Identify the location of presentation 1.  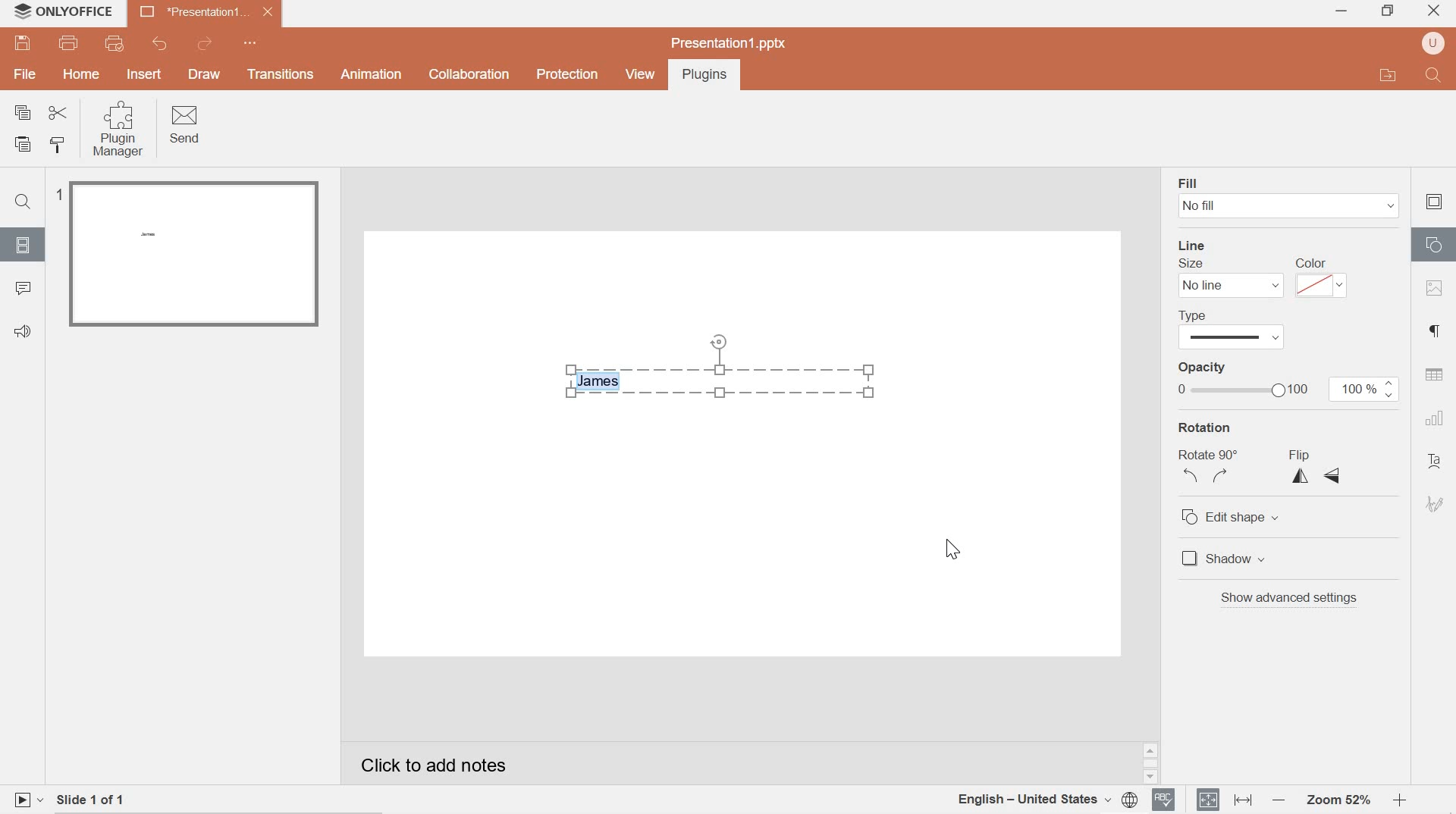
(206, 12).